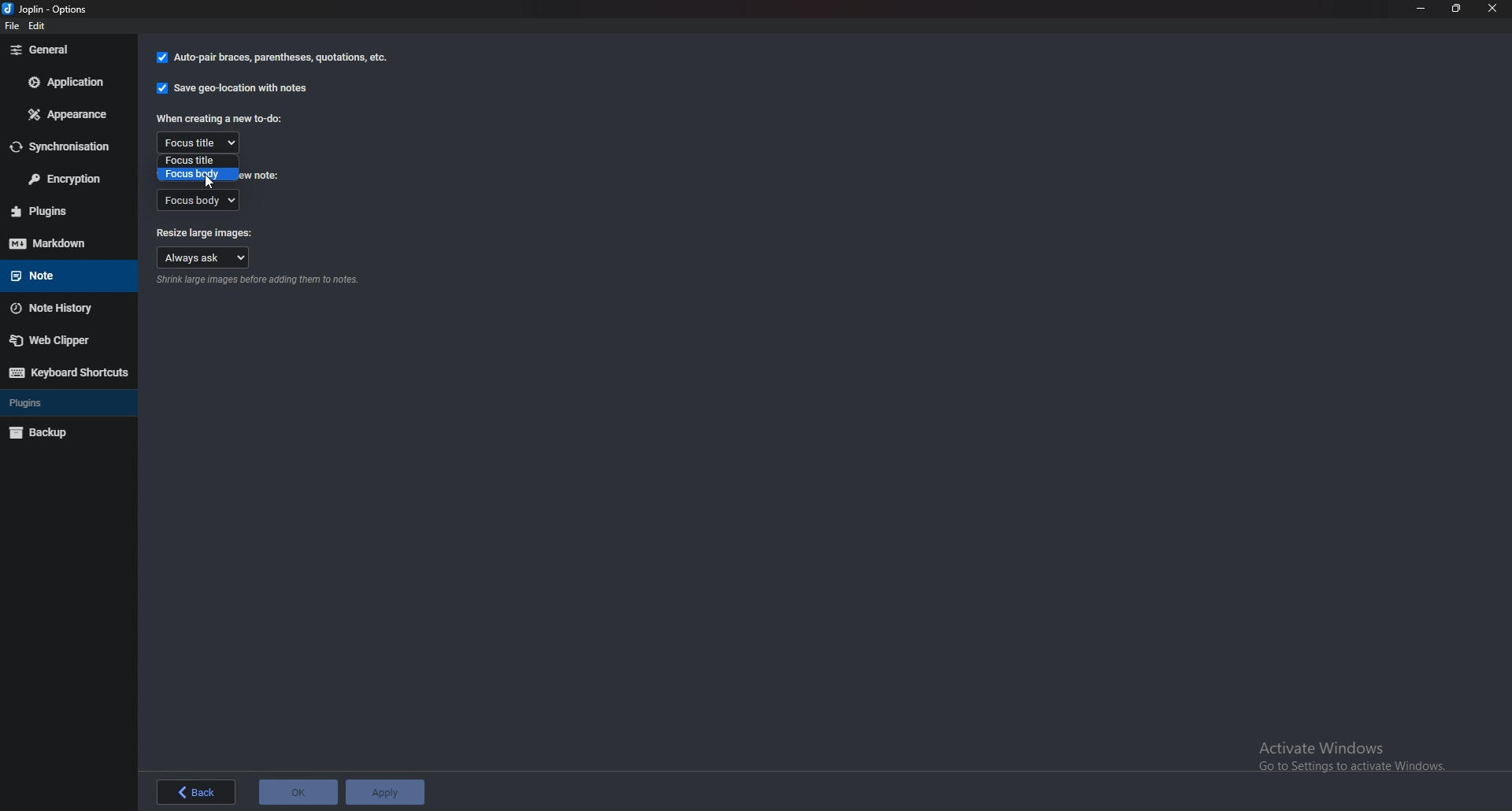  Describe the element at coordinates (72, 114) in the screenshot. I see `Appearance` at that location.